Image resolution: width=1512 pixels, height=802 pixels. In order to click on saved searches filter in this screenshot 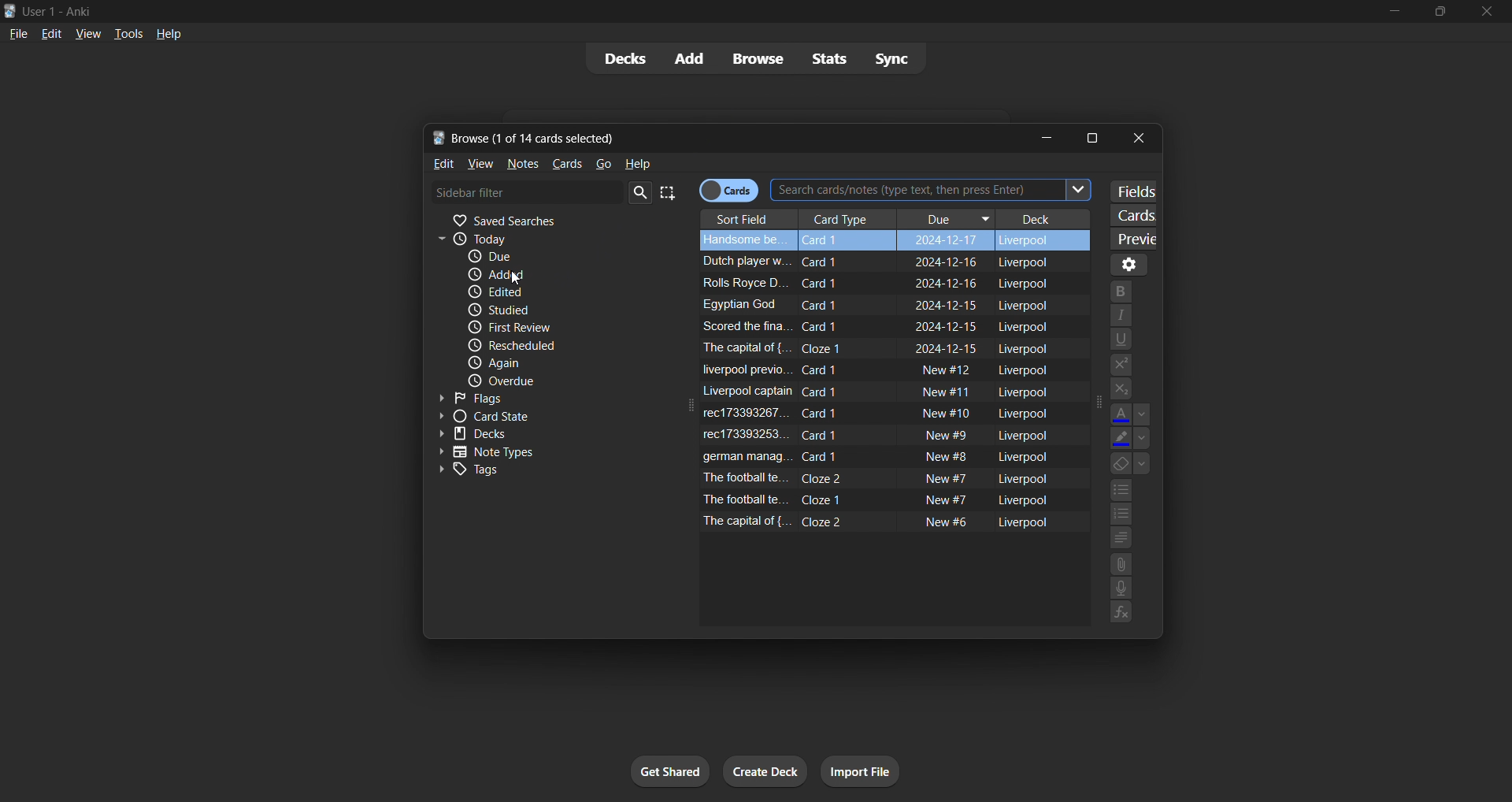, I will do `click(540, 219)`.